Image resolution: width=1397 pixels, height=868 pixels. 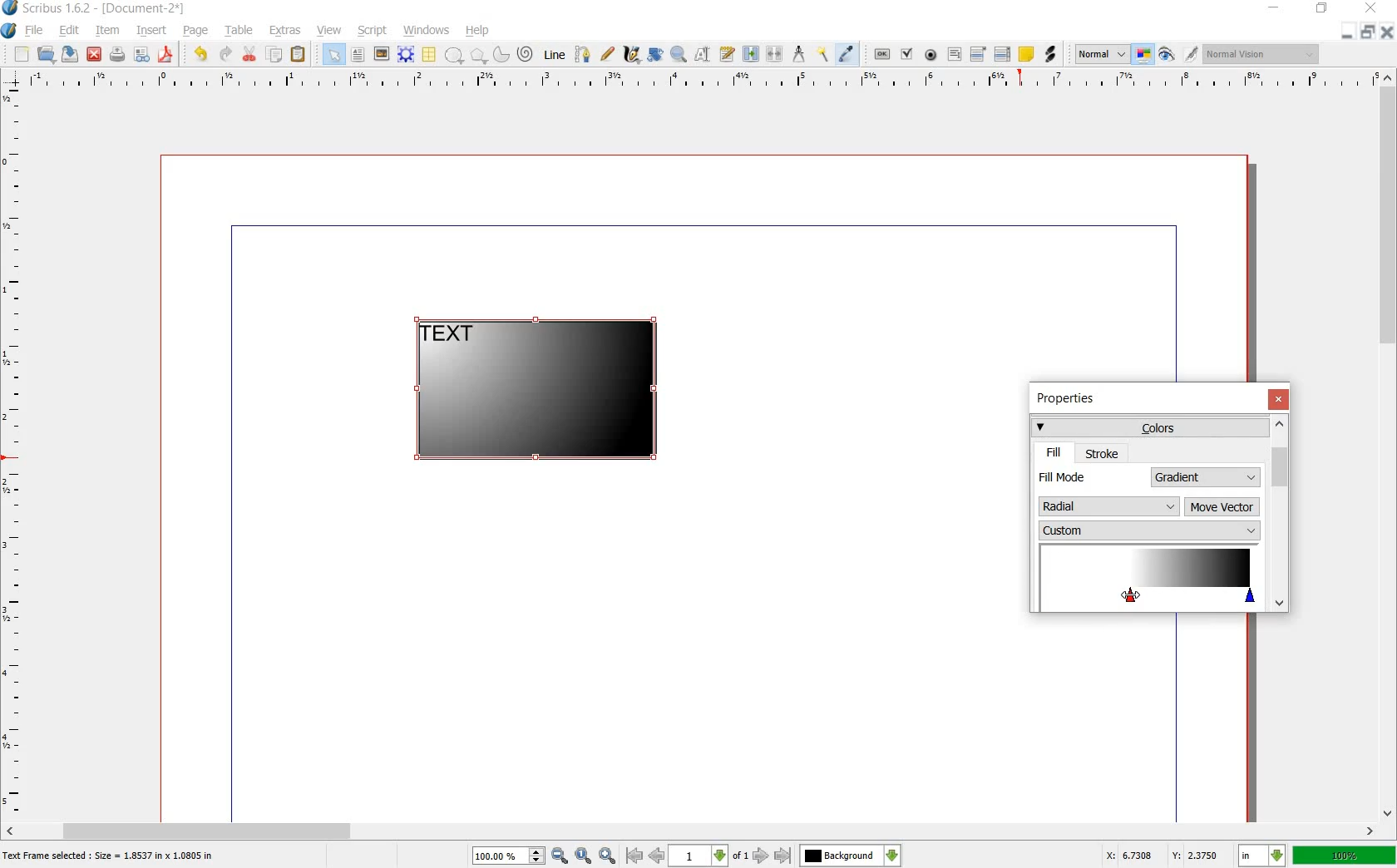 I want to click on pdf push button, so click(x=882, y=52).